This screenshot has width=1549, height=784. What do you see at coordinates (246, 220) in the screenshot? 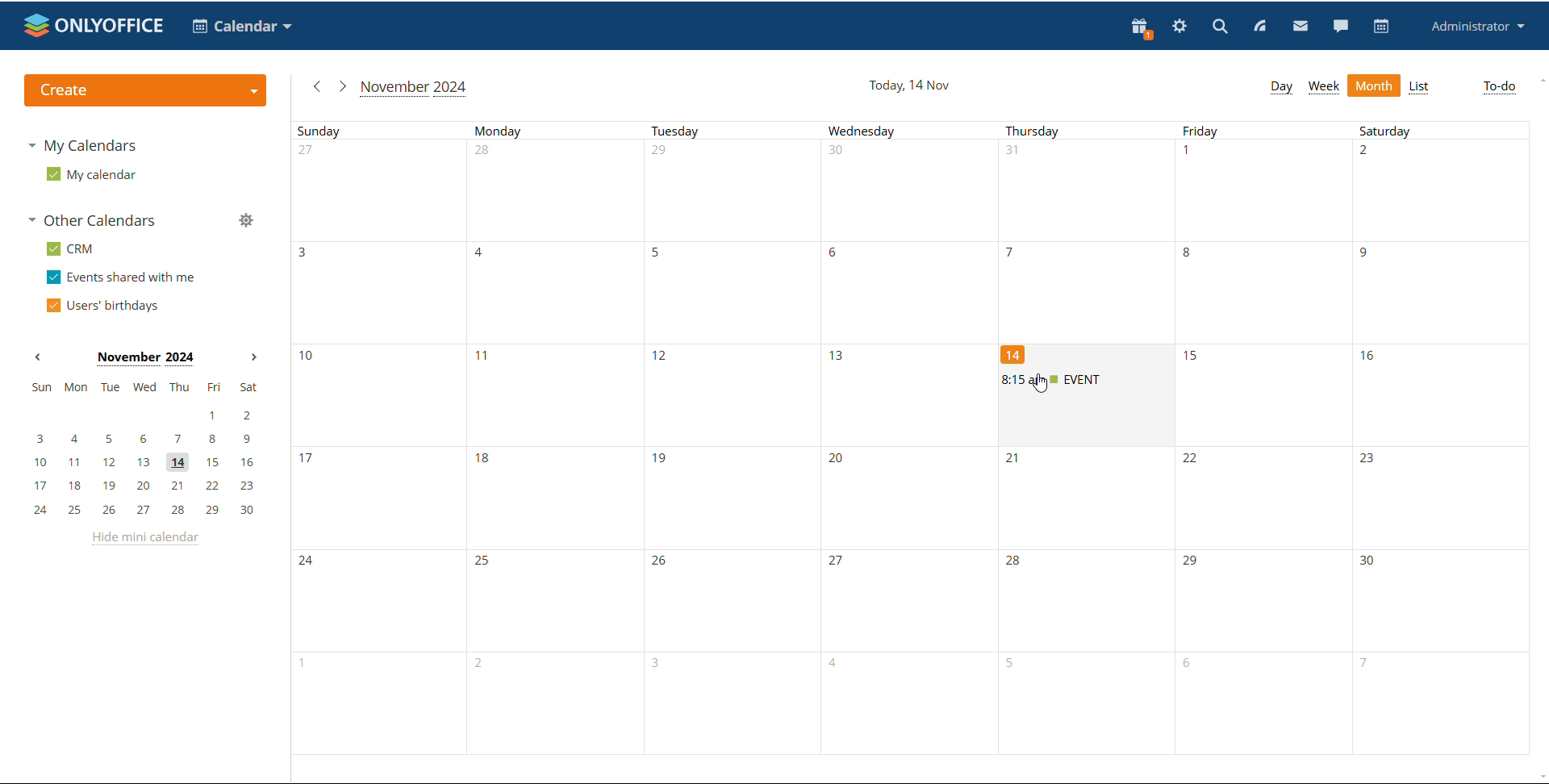
I see `manage` at bounding box center [246, 220].